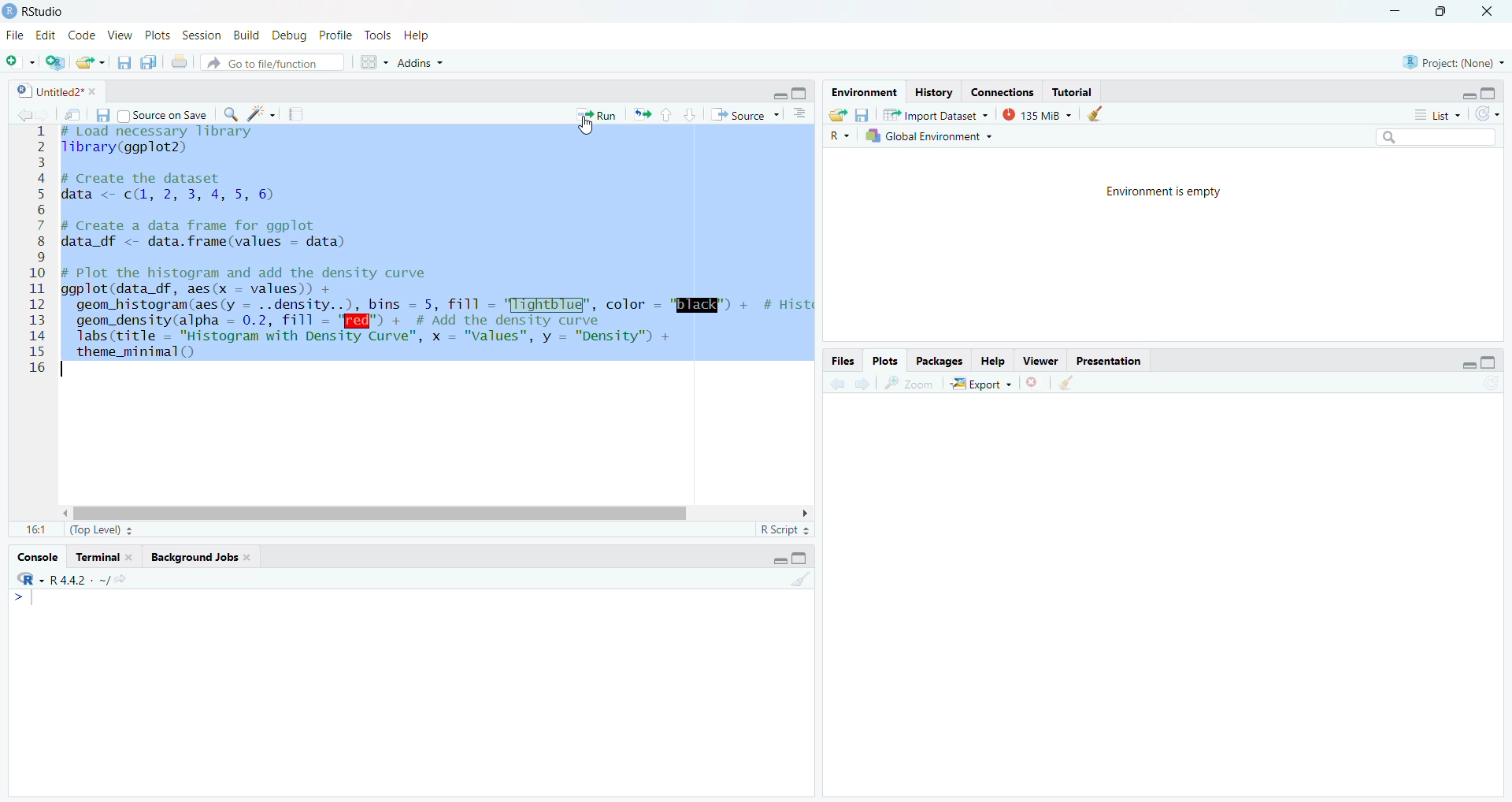 The height and width of the screenshot is (802, 1512). What do you see at coordinates (1034, 383) in the screenshot?
I see `remove the current plot` at bounding box center [1034, 383].